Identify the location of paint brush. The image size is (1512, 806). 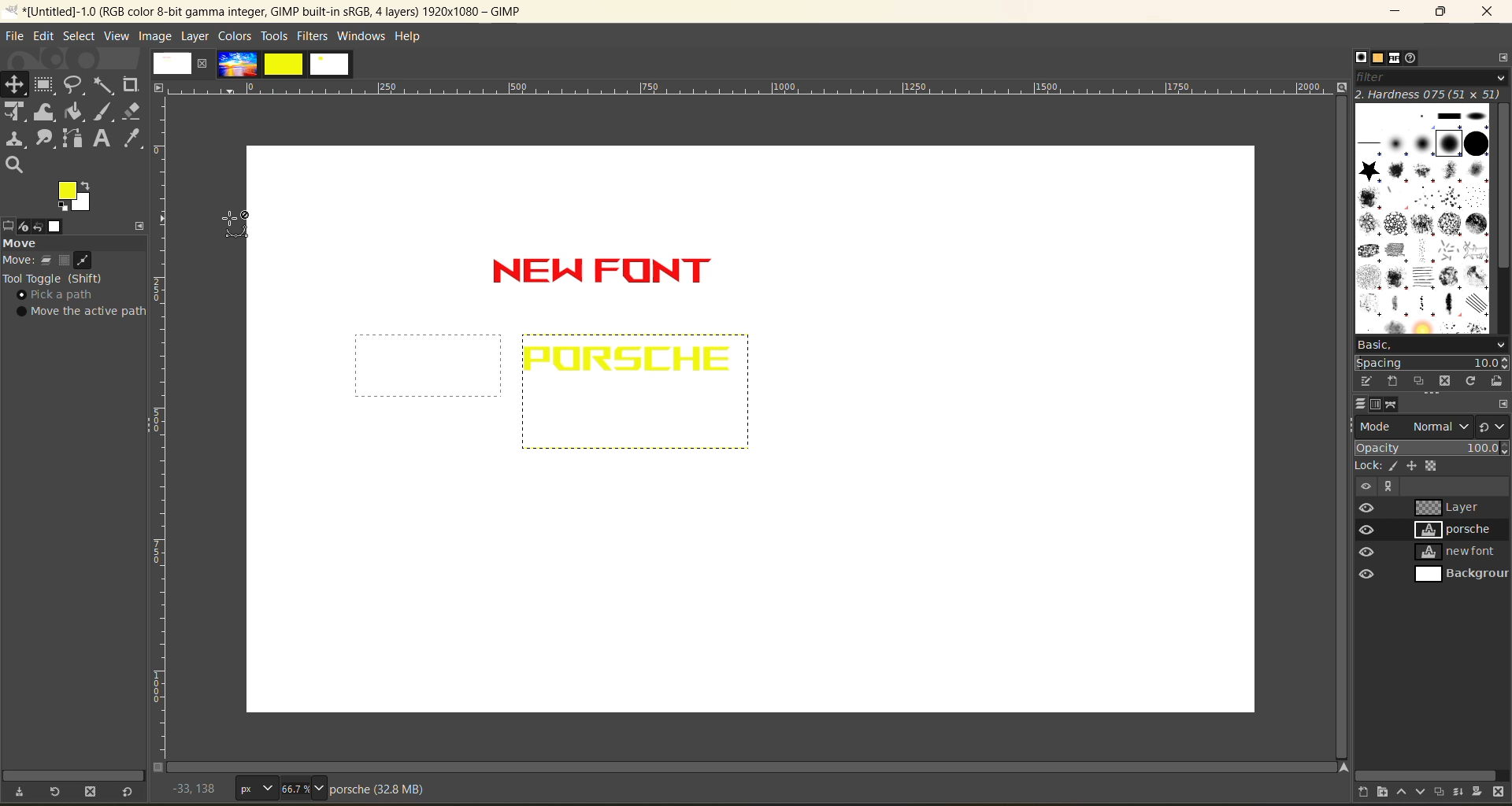
(105, 114).